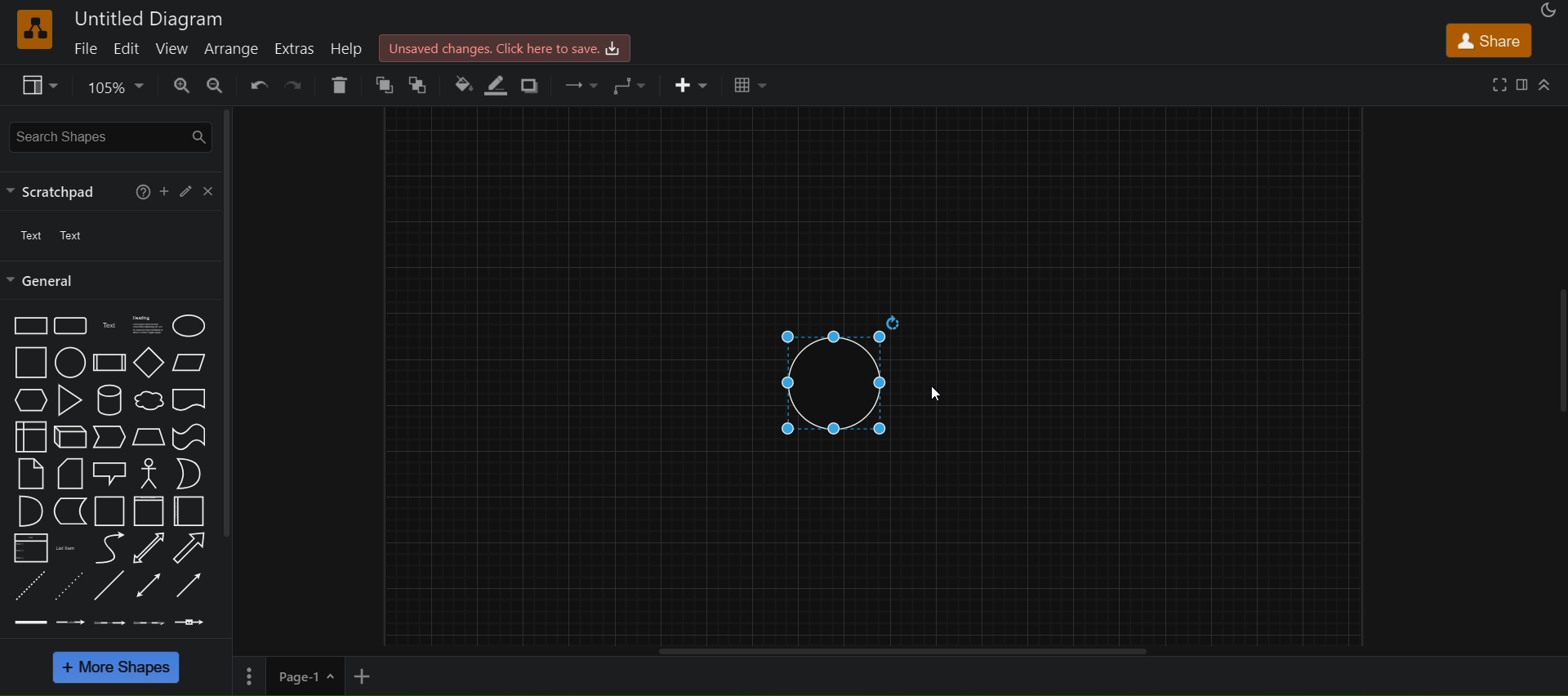  Describe the element at coordinates (228, 321) in the screenshot. I see `vertical scroll bar` at that location.